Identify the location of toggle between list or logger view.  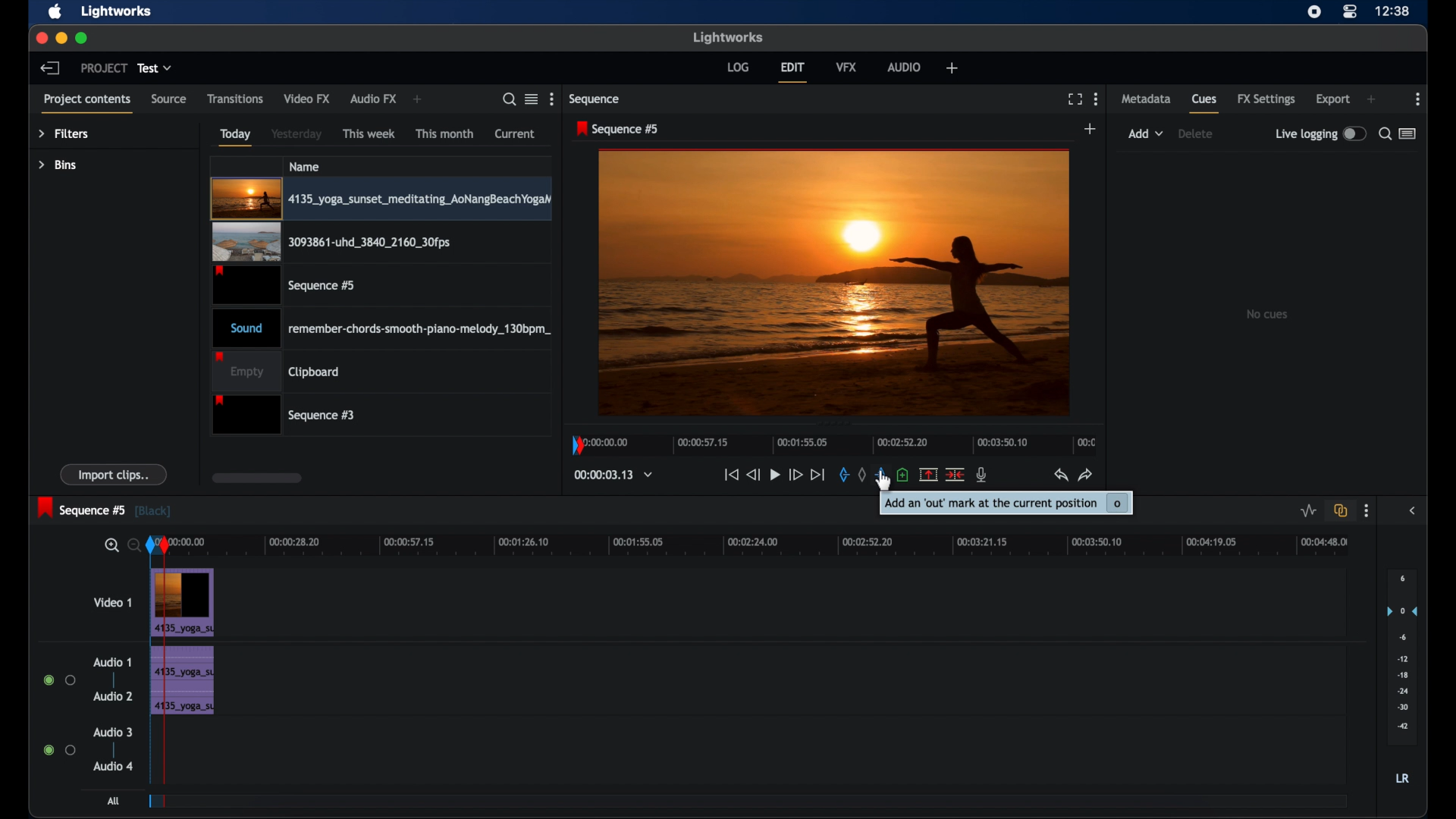
(1407, 133).